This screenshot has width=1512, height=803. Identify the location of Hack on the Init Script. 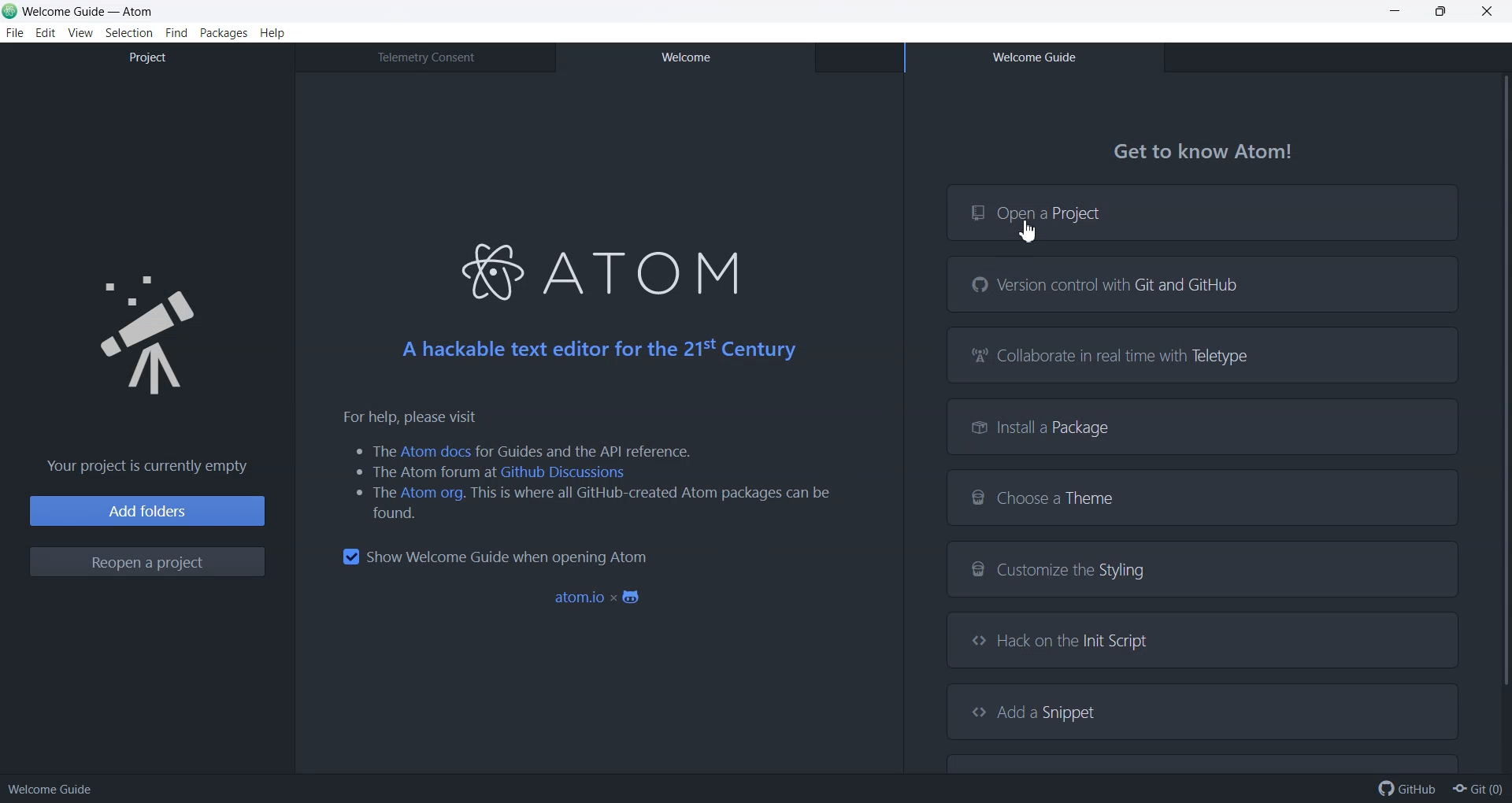
(1203, 639).